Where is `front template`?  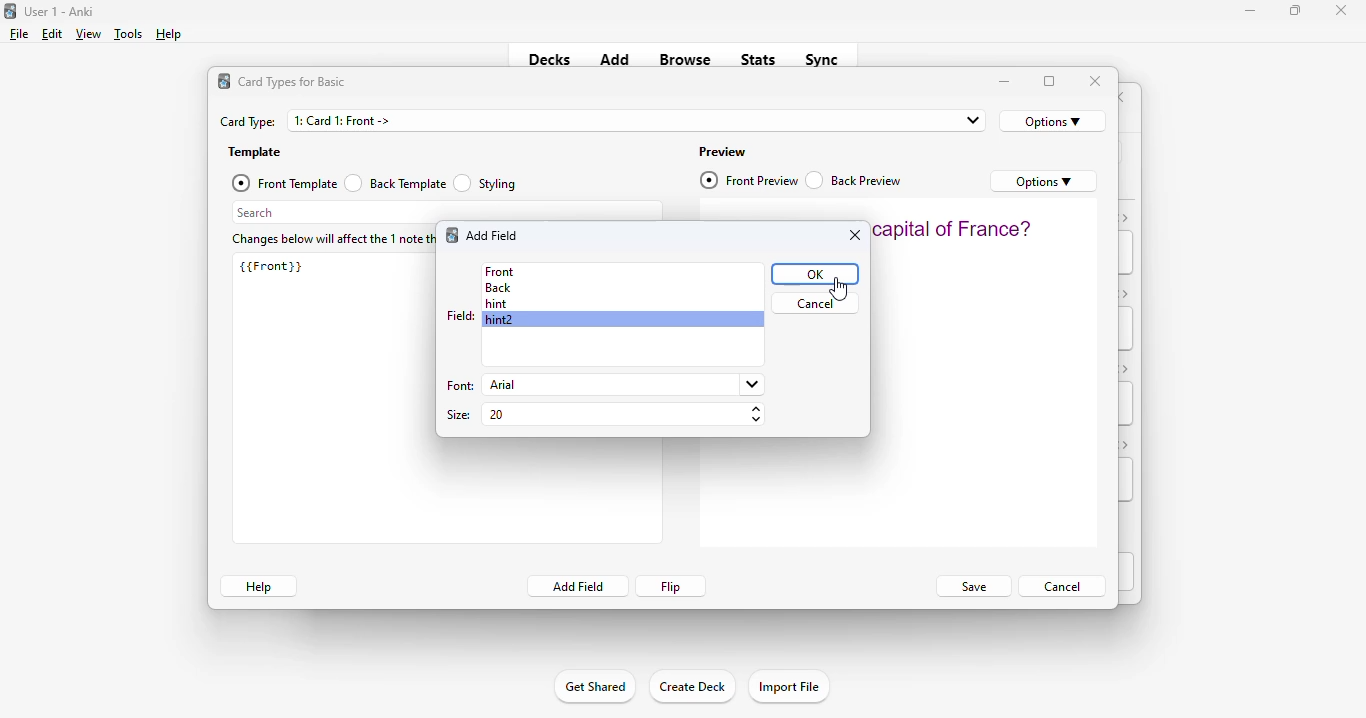
front template is located at coordinates (283, 183).